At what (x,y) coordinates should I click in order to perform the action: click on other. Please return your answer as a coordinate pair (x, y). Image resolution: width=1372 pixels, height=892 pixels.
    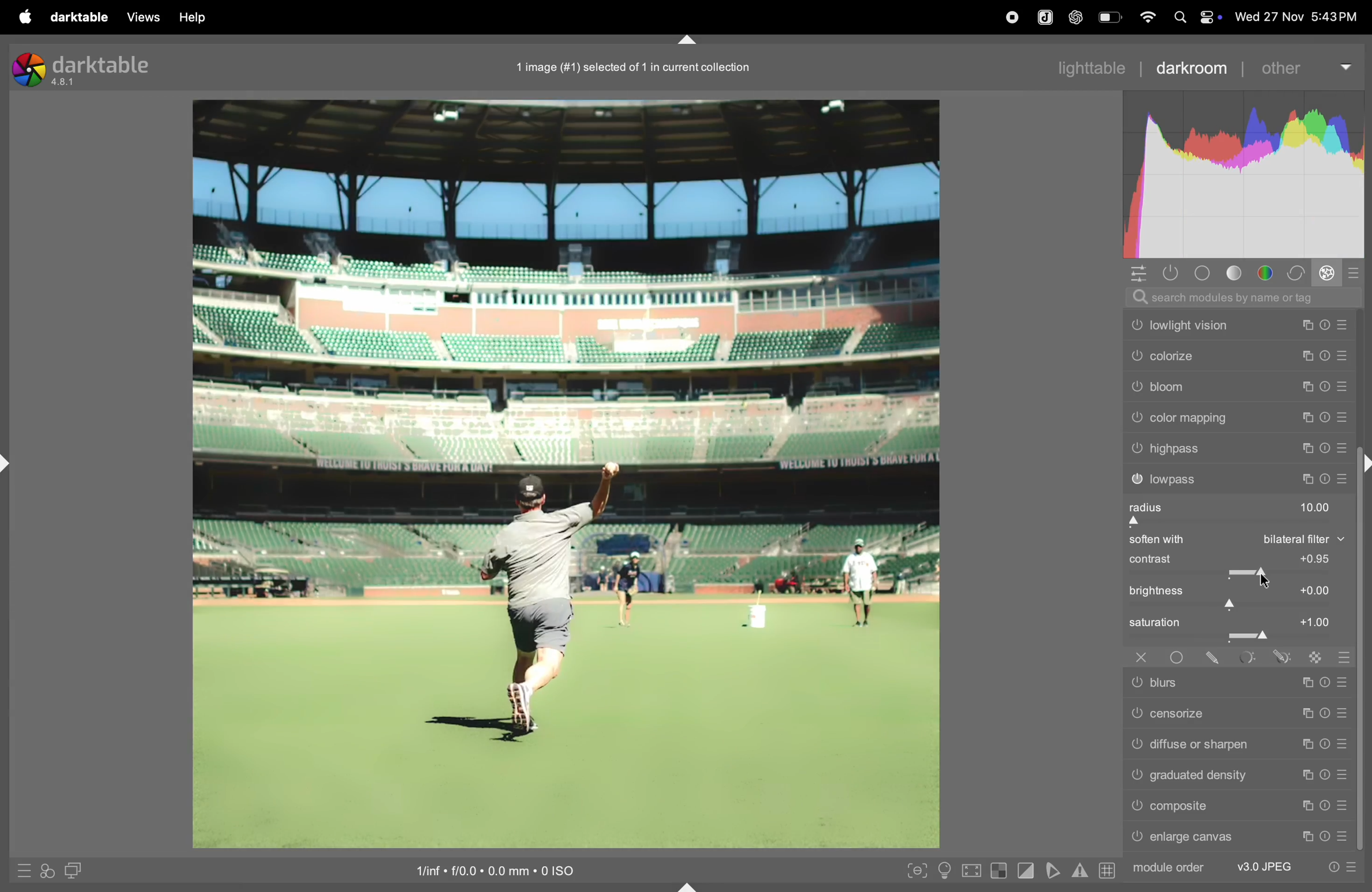
    Looking at the image, I should click on (1305, 66).